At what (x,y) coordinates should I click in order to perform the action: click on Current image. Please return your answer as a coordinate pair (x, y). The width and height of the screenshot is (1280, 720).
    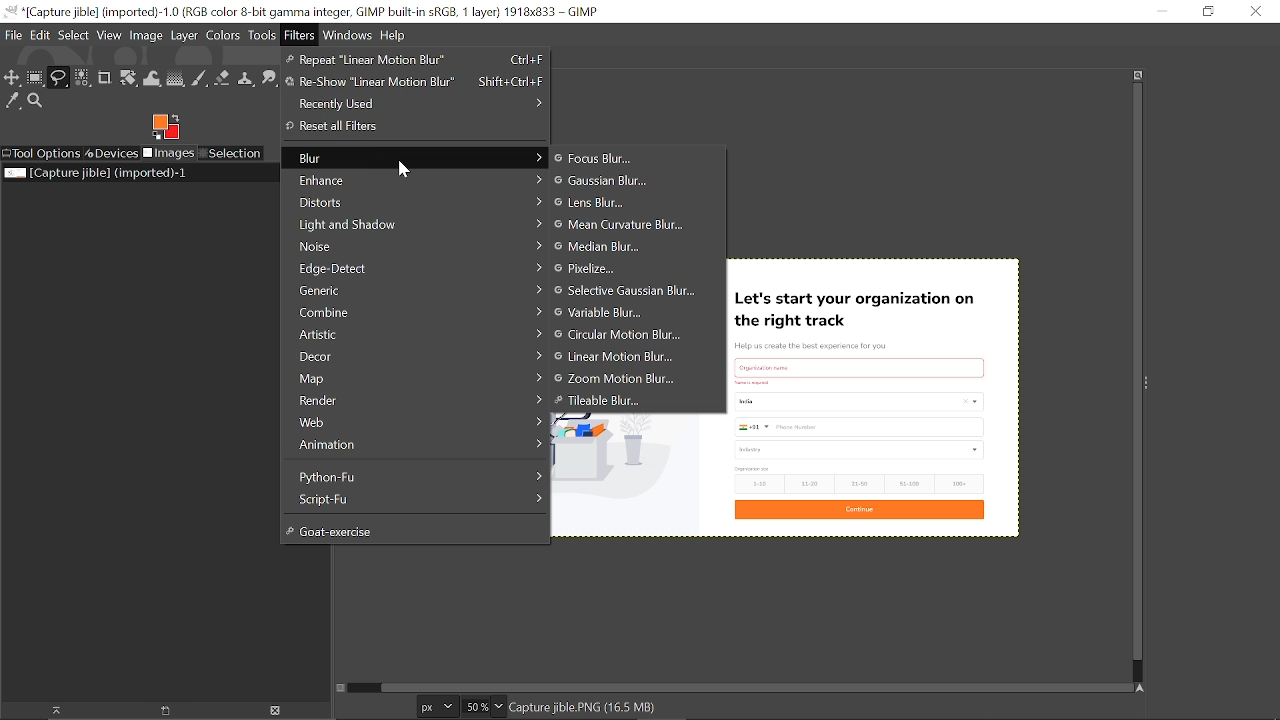
    Looking at the image, I should click on (98, 173).